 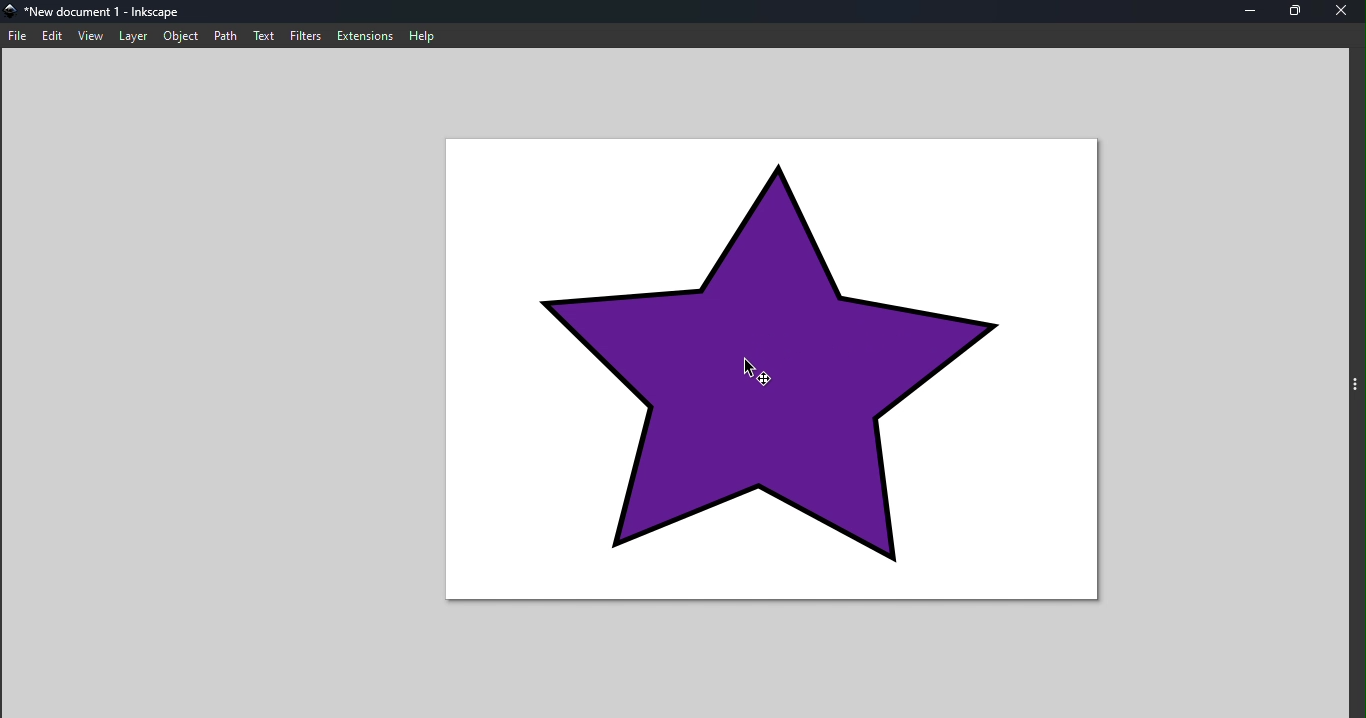 I want to click on Text, so click(x=260, y=35).